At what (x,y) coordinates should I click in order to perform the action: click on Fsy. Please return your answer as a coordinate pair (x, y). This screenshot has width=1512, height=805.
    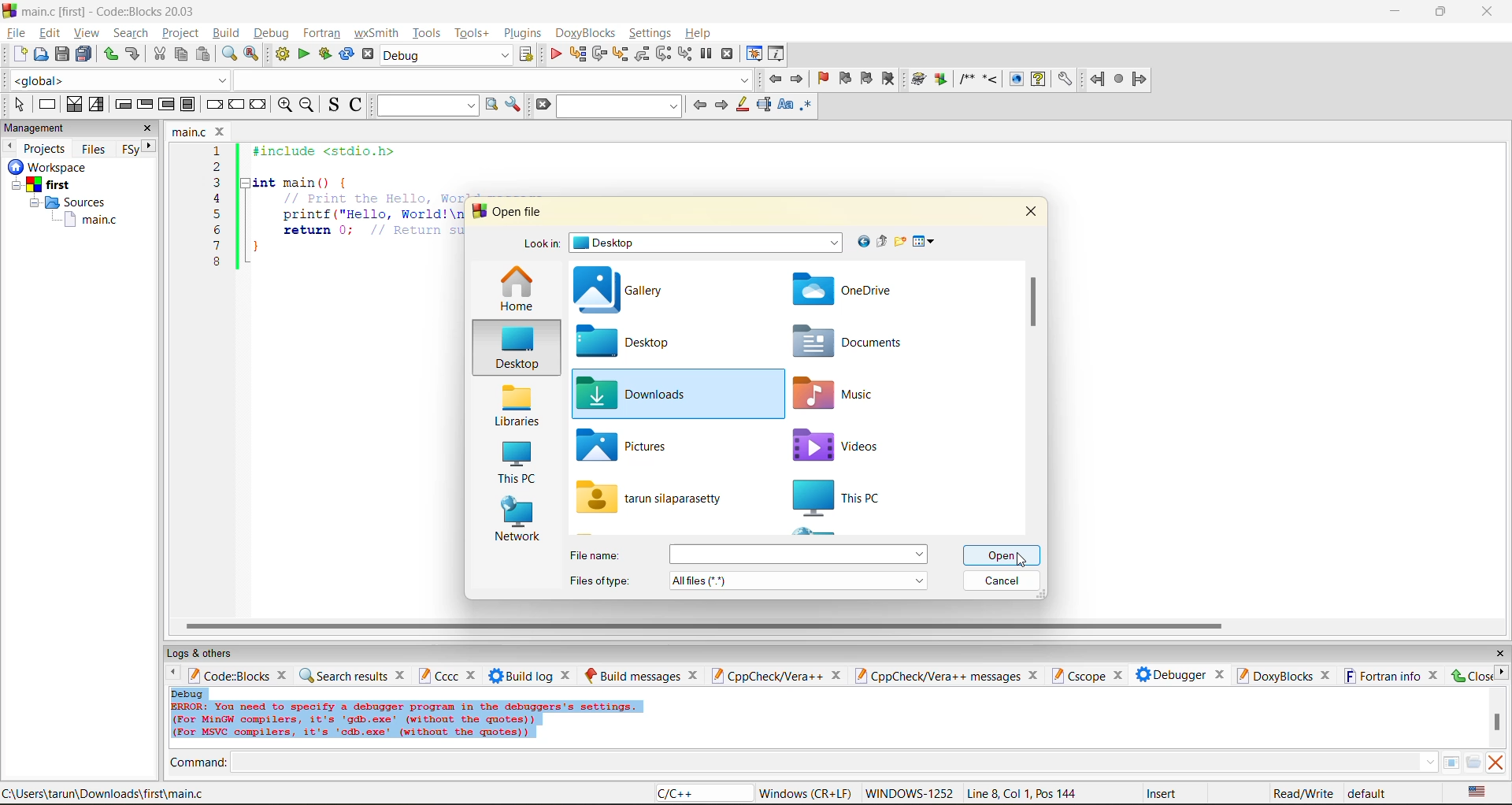
    Looking at the image, I should click on (129, 150).